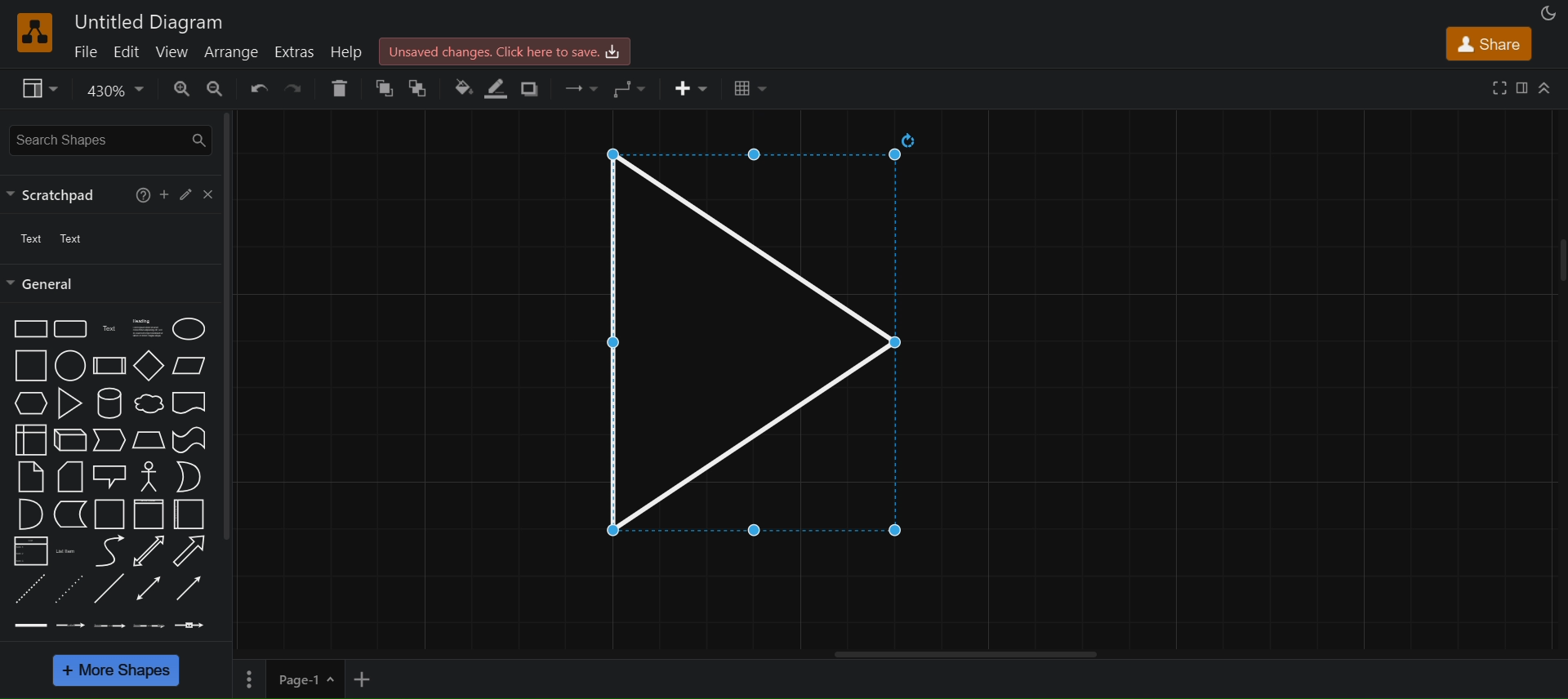 The height and width of the screenshot is (699, 1568). Describe the element at coordinates (256, 87) in the screenshot. I see `undo` at that location.